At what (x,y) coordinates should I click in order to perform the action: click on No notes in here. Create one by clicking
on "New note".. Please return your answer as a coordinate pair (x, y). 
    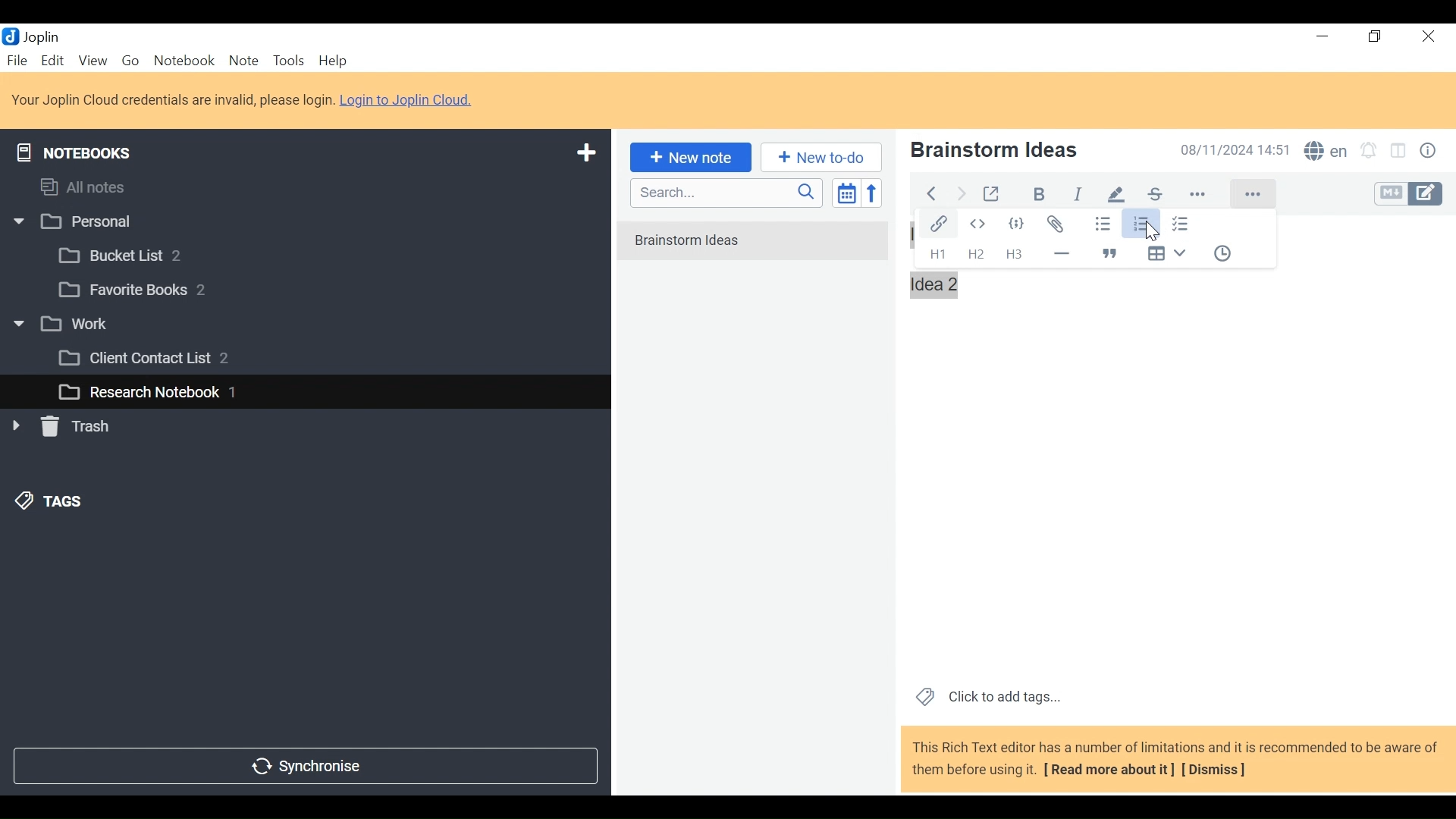
    Looking at the image, I should click on (752, 242).